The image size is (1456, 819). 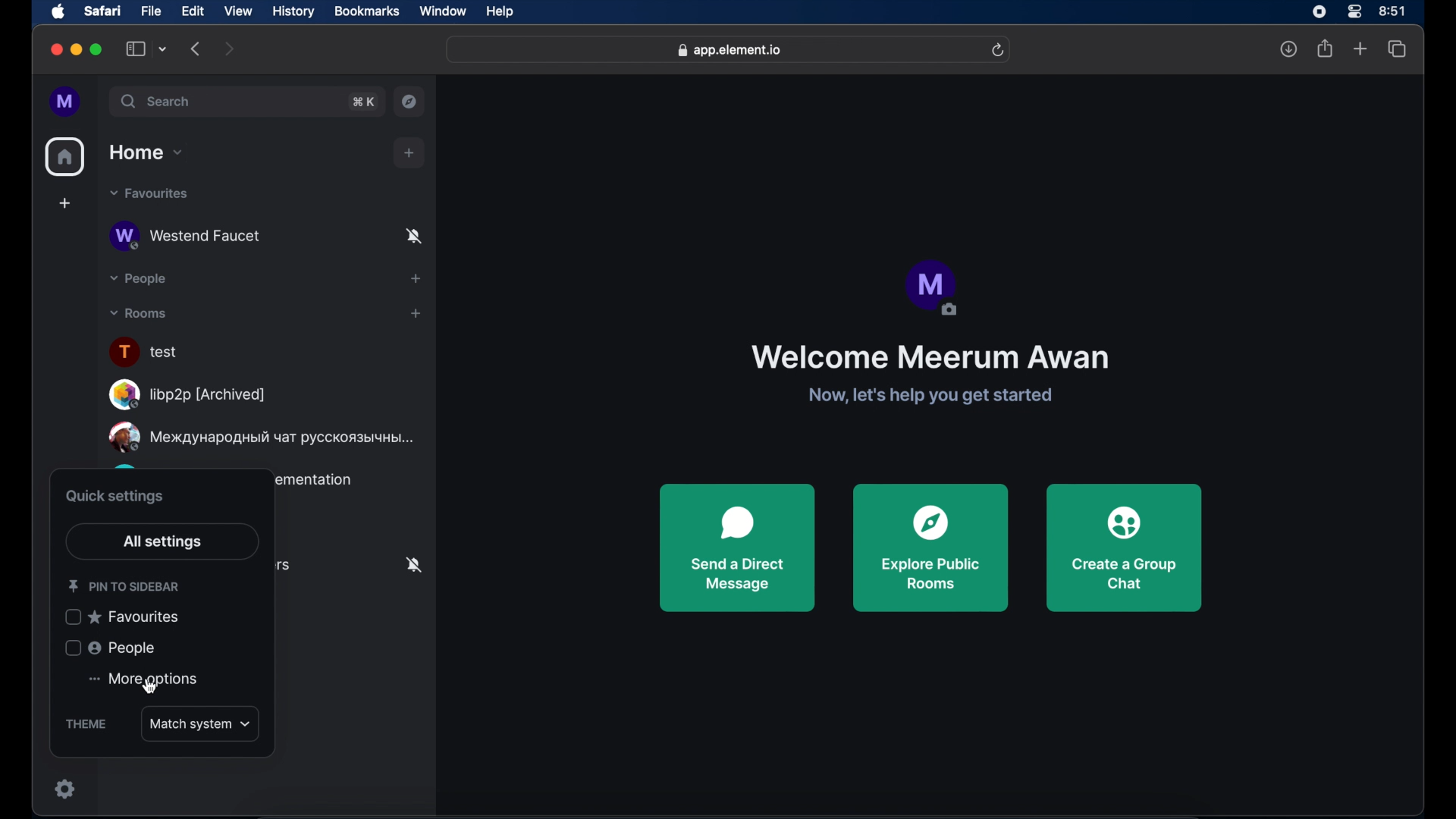 What do you see at coordinates (265, 237) in the screenshot?
I see `Westend faucet room` at bounding box center [265, 237].